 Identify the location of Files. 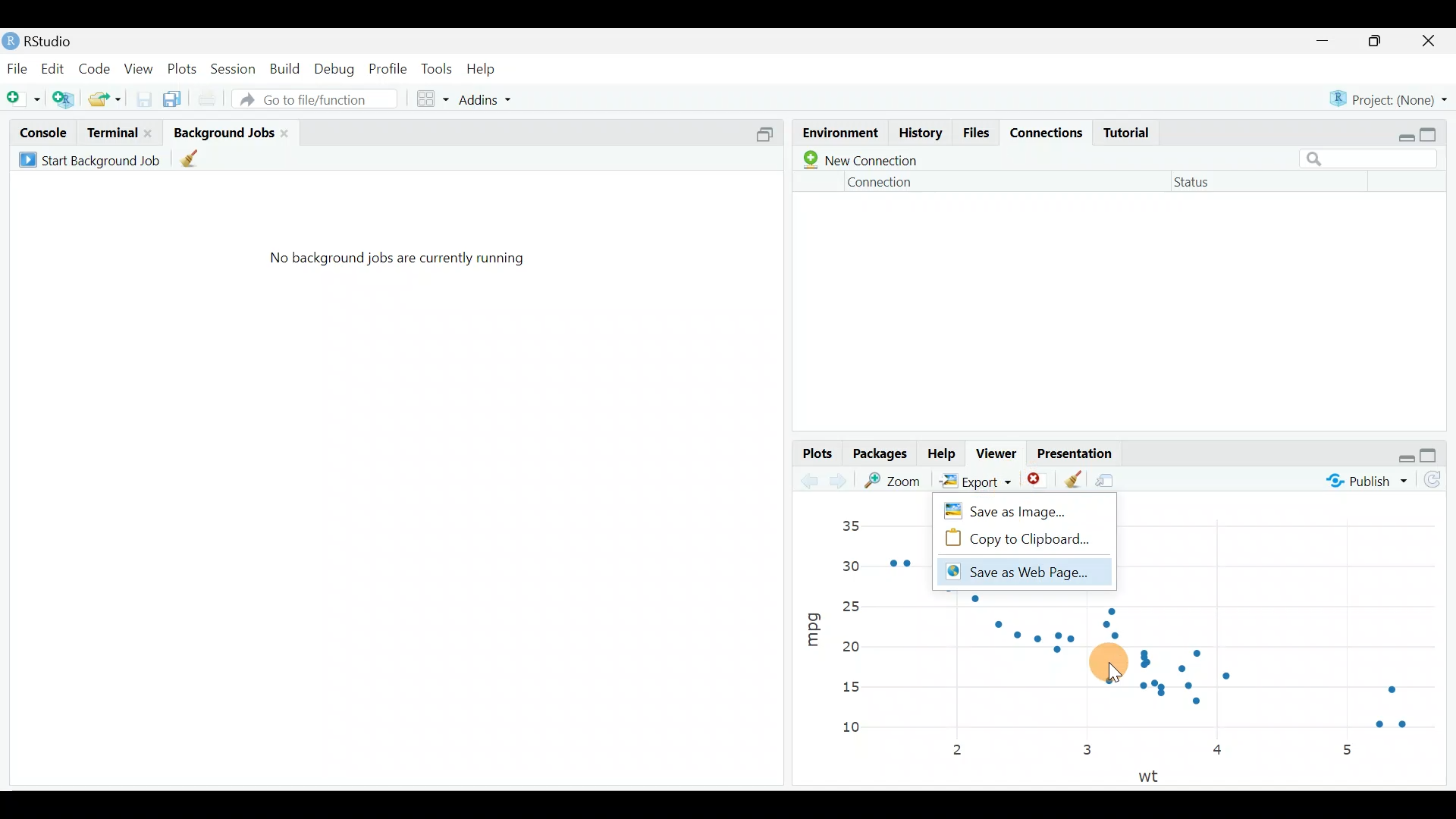
(977, 133).